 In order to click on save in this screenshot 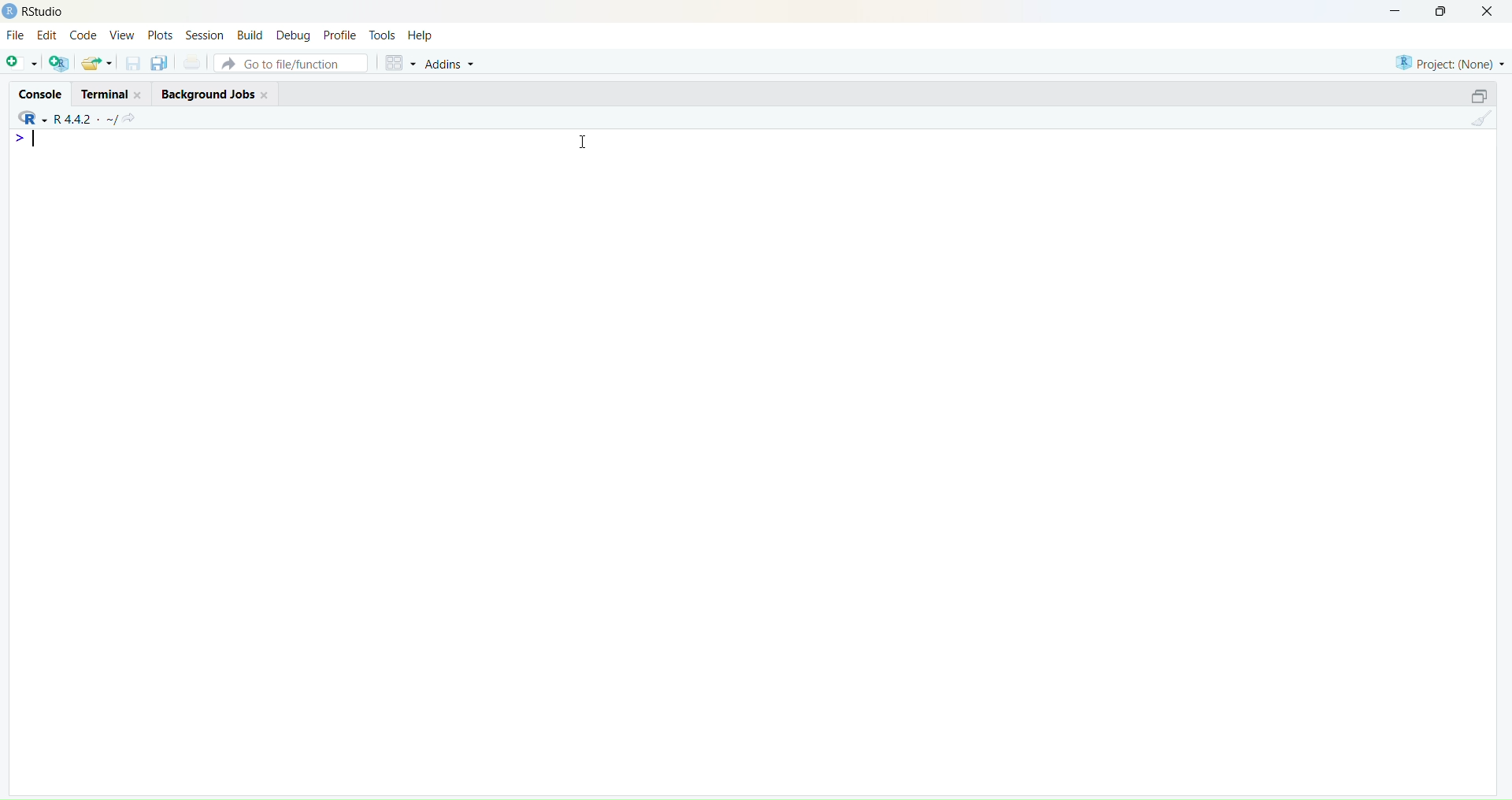, I will do `click(134, 63)`.